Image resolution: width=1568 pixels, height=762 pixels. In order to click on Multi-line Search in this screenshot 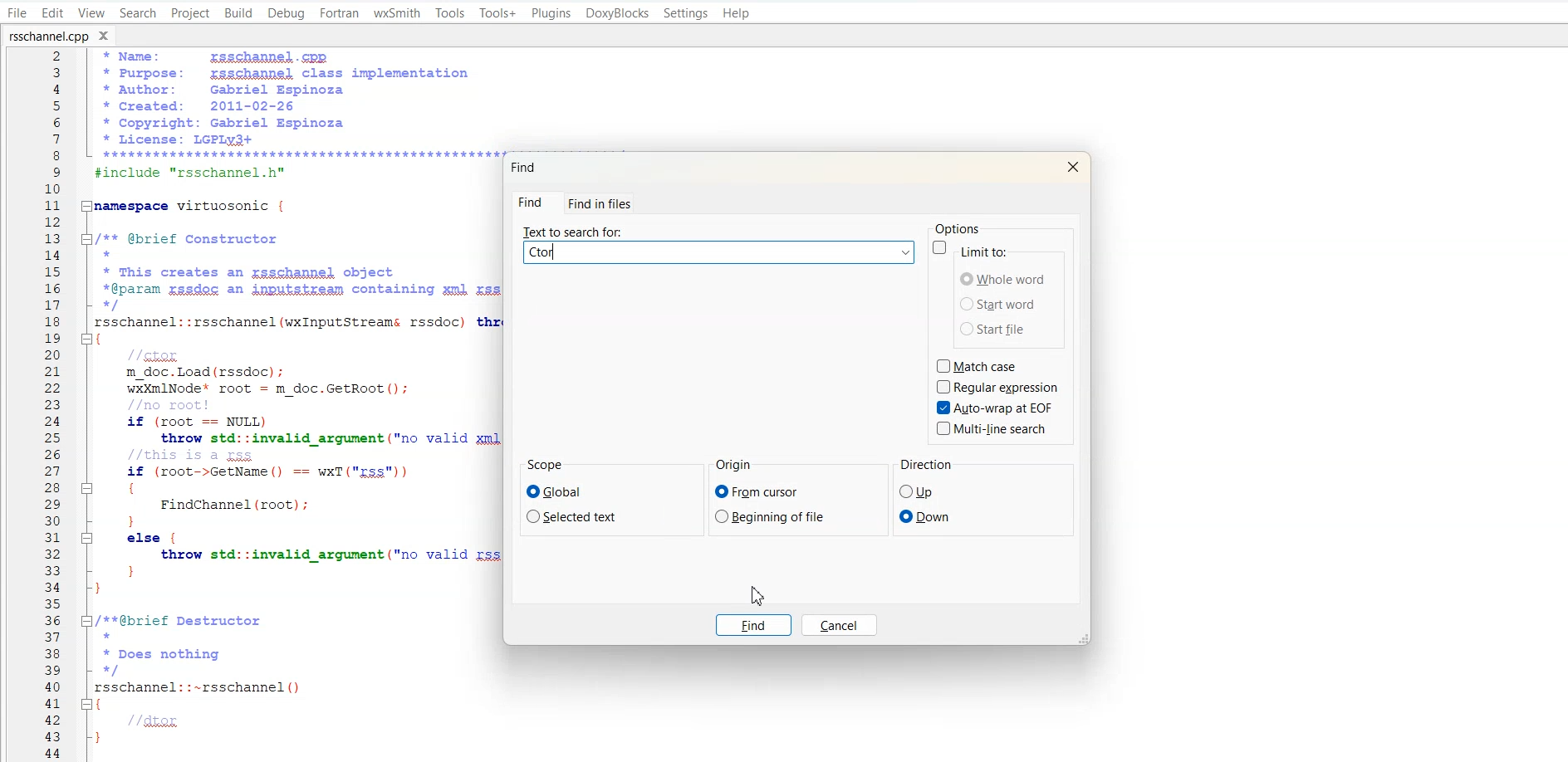, I will do `click(994, 428)`.